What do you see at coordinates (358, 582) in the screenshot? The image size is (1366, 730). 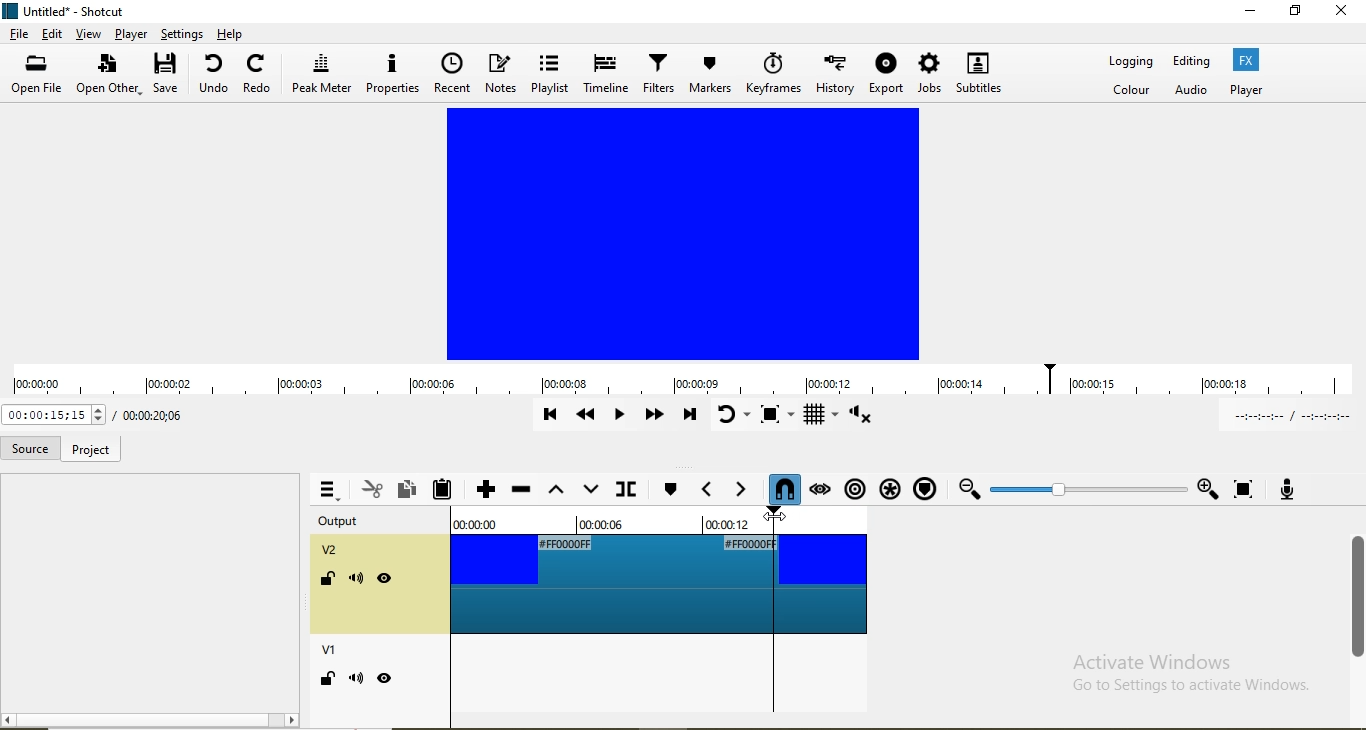 I see `mute` at bounding box center [358, 582].